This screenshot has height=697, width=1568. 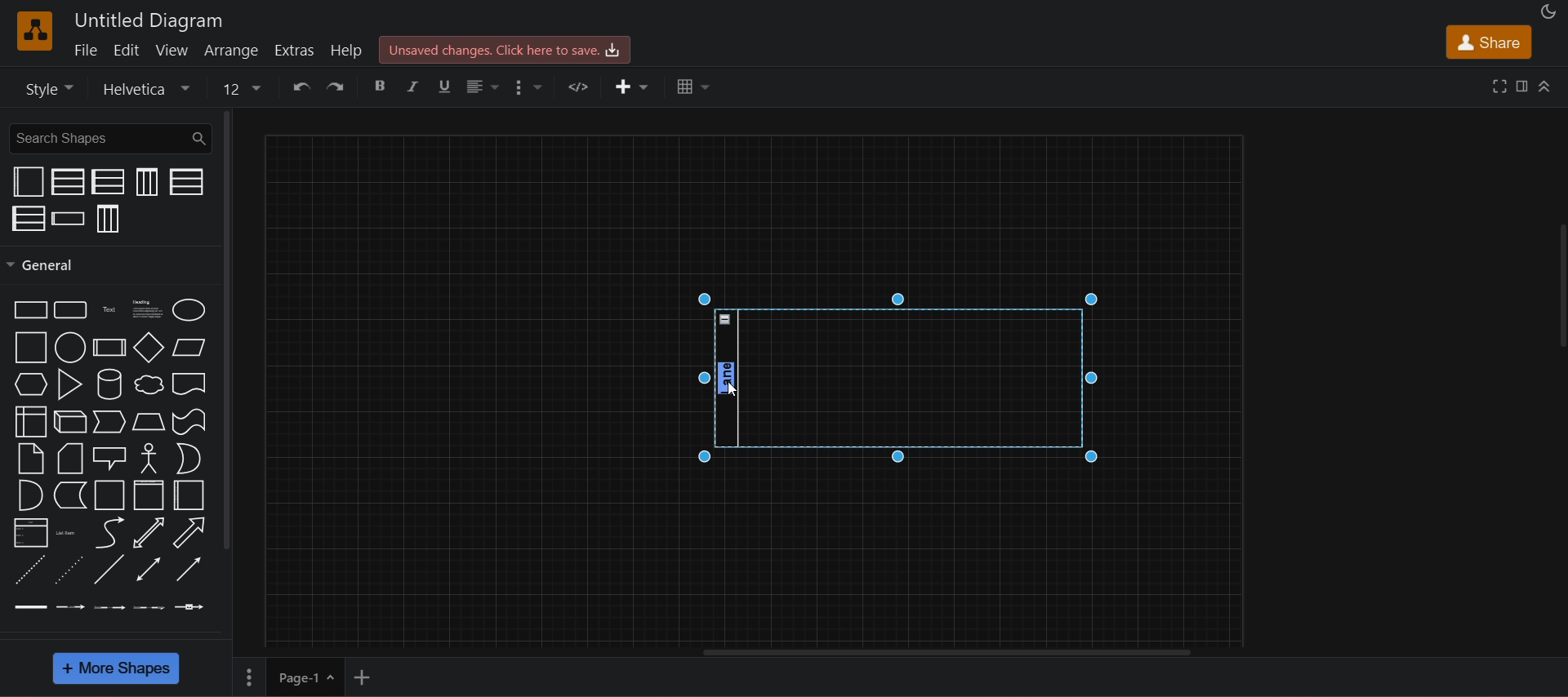 I want to click on Untitled diagram, so click(x=149, y=20).